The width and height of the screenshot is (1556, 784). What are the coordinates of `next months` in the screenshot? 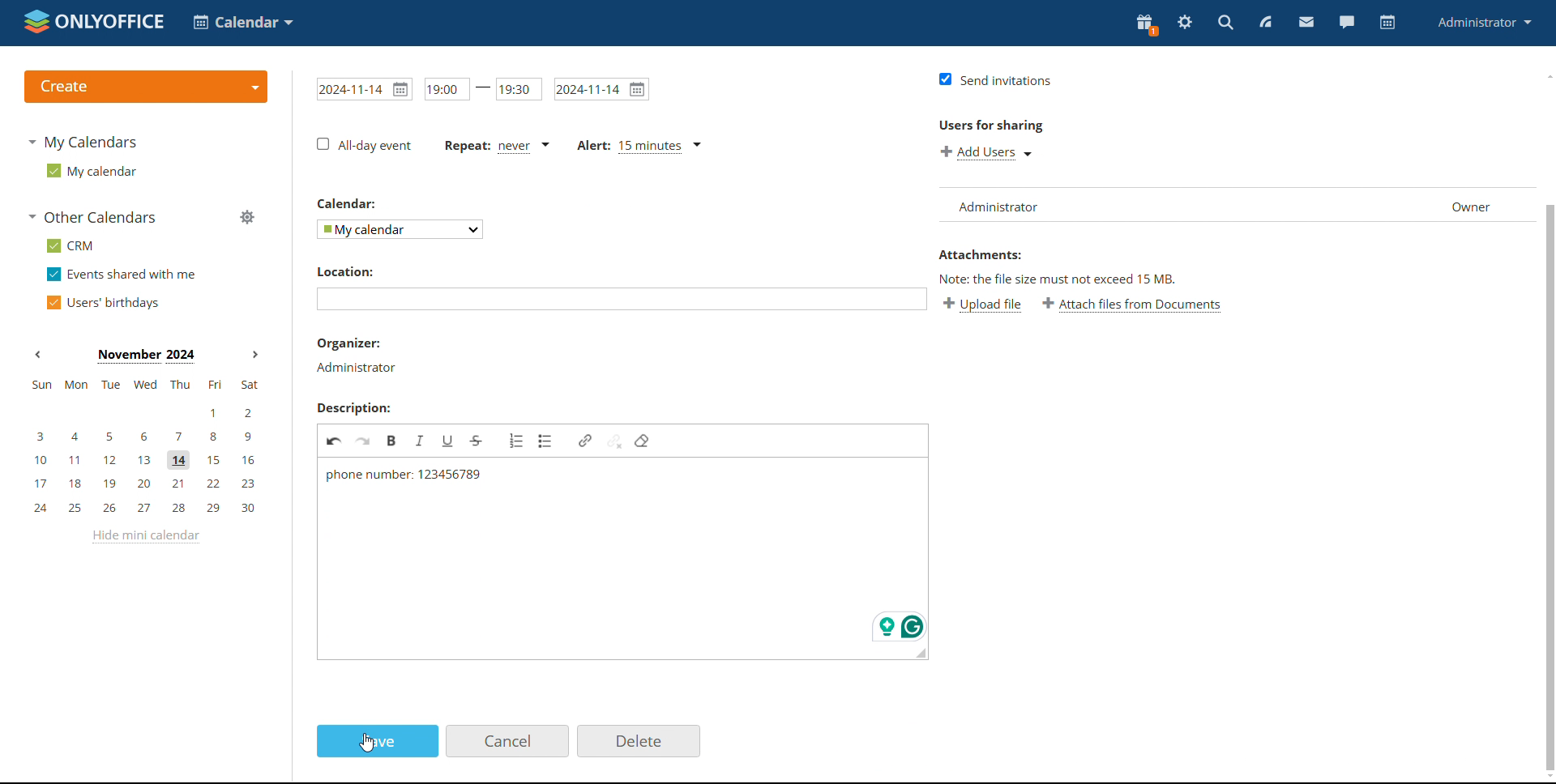 It's located at (253, 355).